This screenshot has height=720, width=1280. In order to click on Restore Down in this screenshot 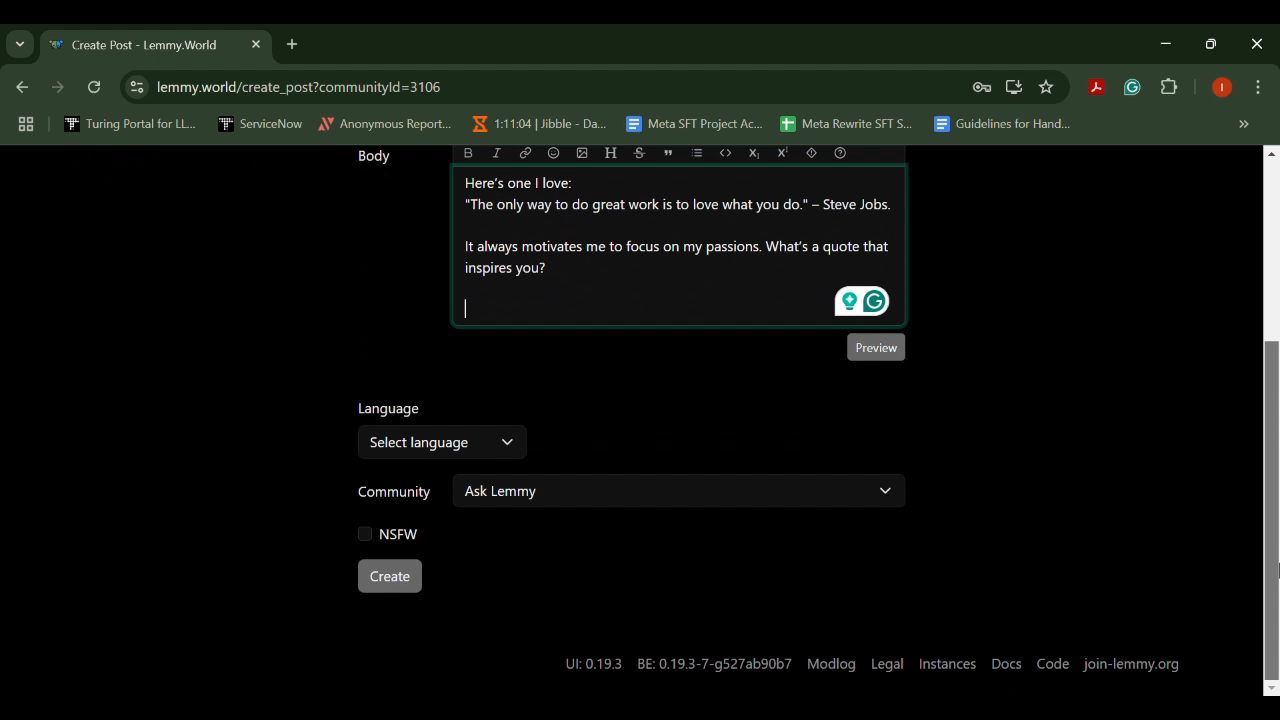, I will do `click(1170, 43)`.